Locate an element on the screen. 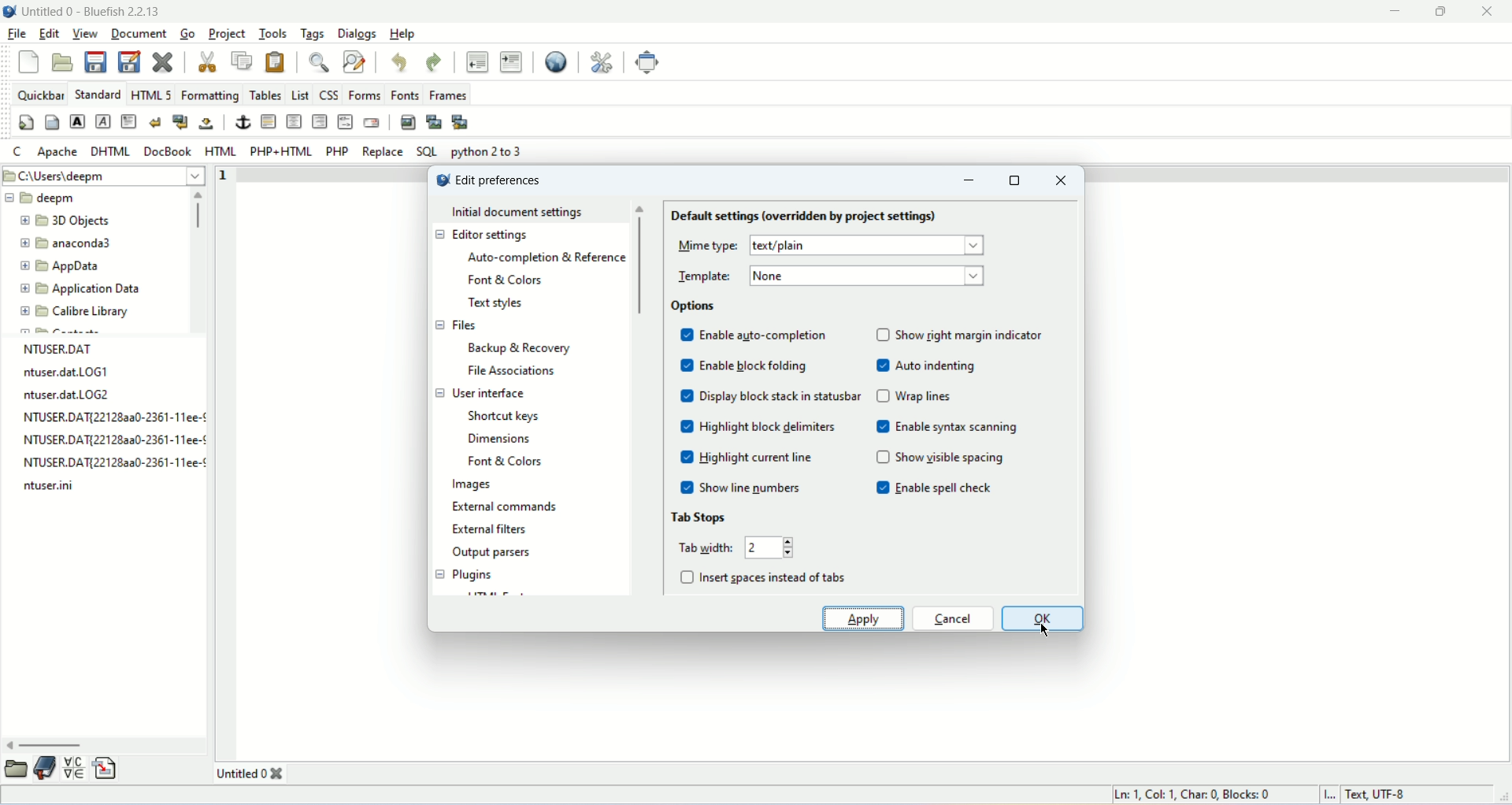 The width and height of the screenshot is (1512, 805). Application Data is located at coordinates (98, 289).